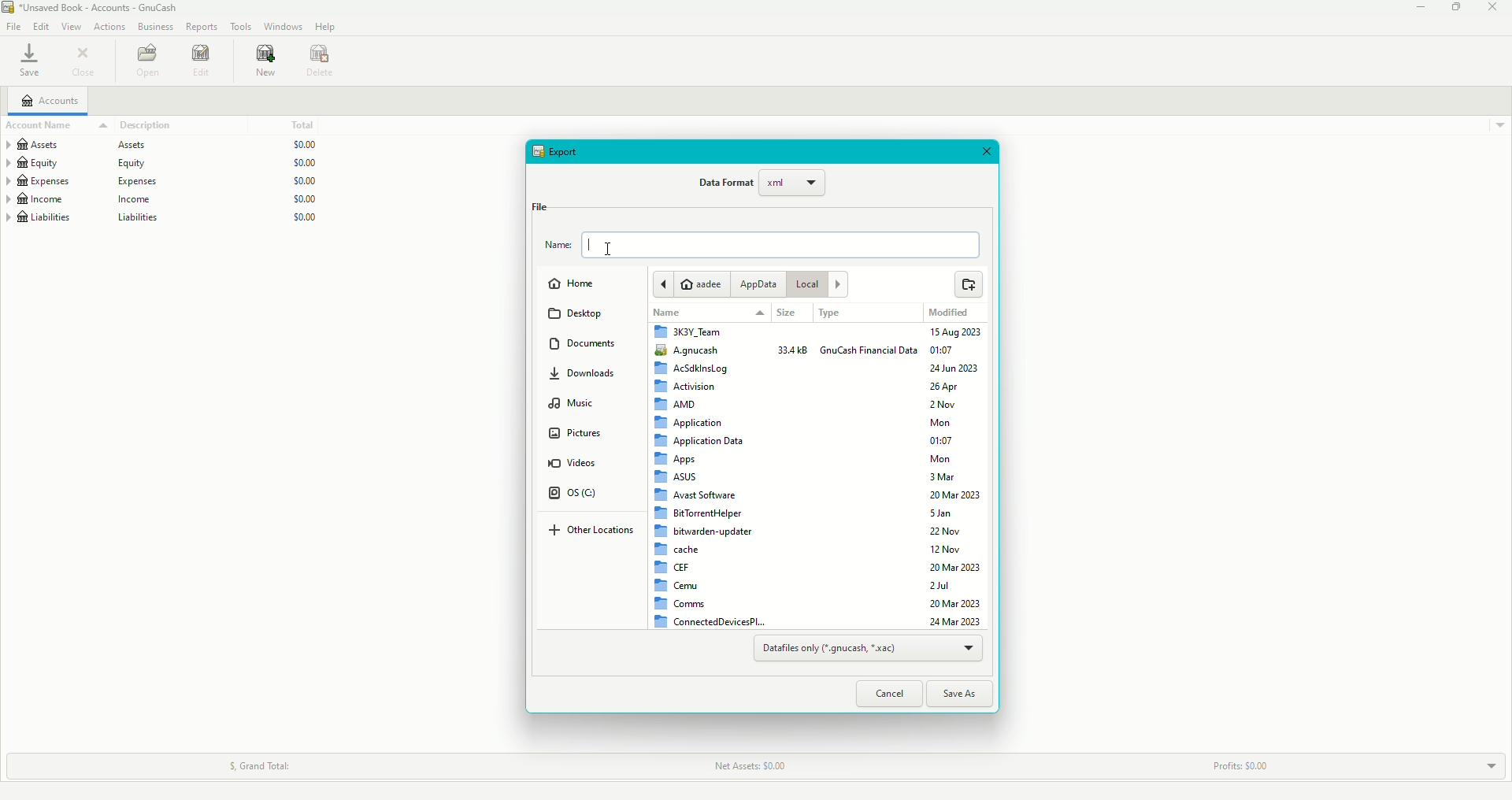 Image resolution: width=1512 pixels, height=800 pixels. What do you see at coordinates (1495, 8) in the screenshot?
I see `Close` at bounding box center [1495, 8].